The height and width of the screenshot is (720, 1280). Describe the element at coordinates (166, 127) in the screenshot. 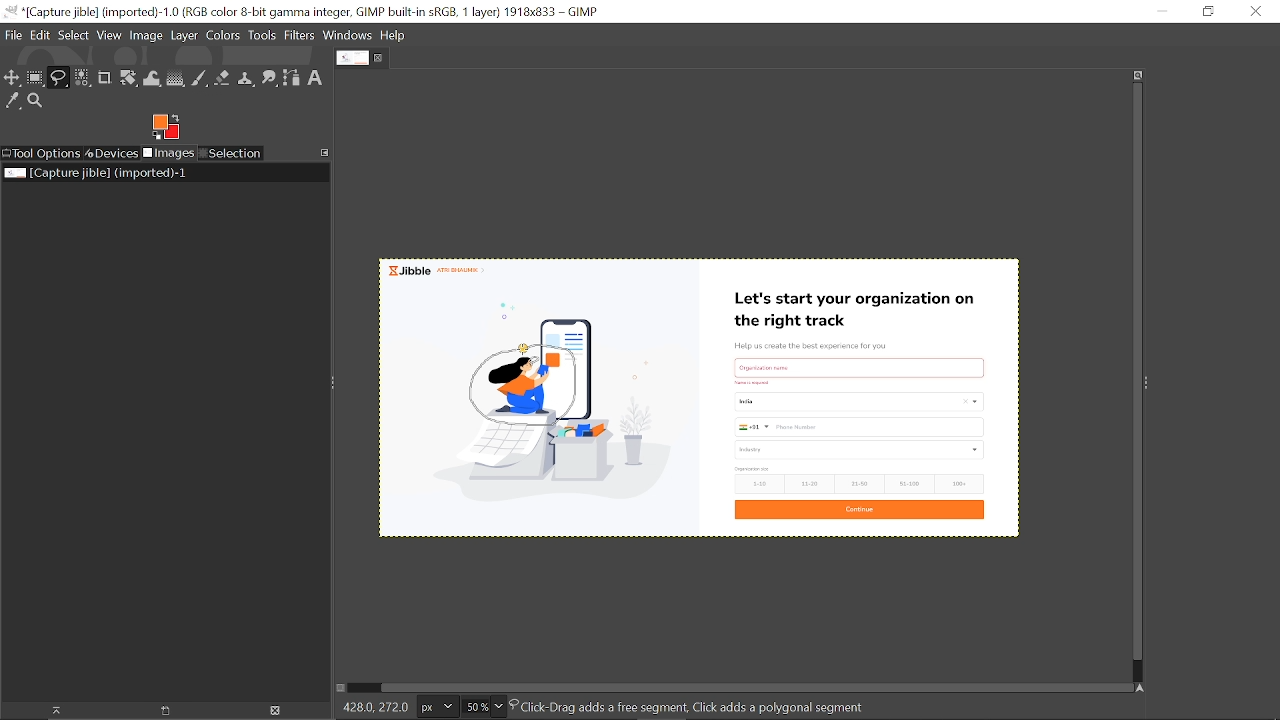

I see `Foreground color` at that location.